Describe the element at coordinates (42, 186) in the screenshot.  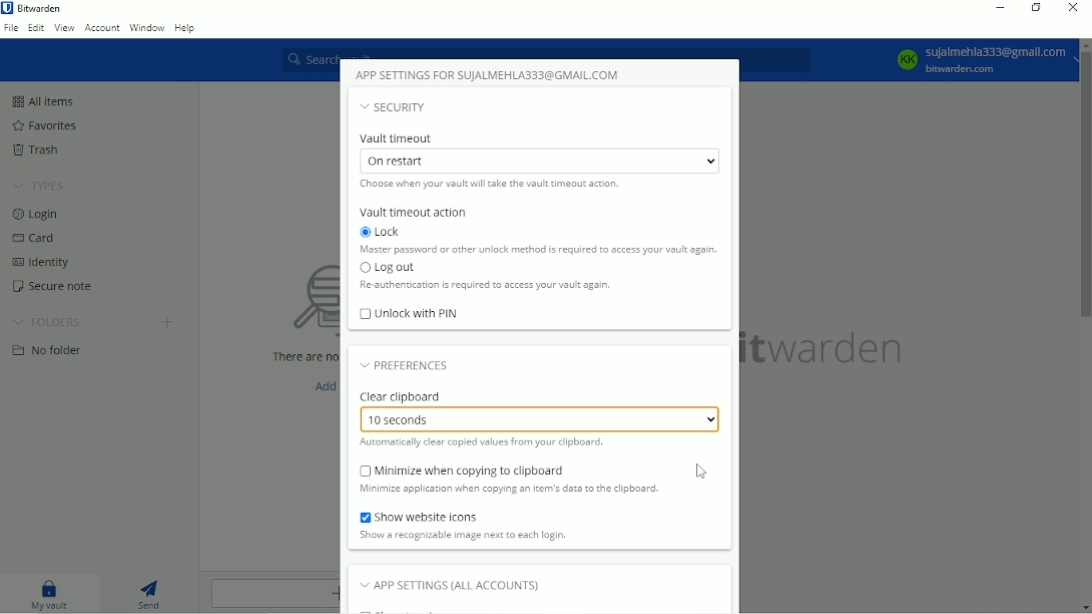
I see `Types` at that location.